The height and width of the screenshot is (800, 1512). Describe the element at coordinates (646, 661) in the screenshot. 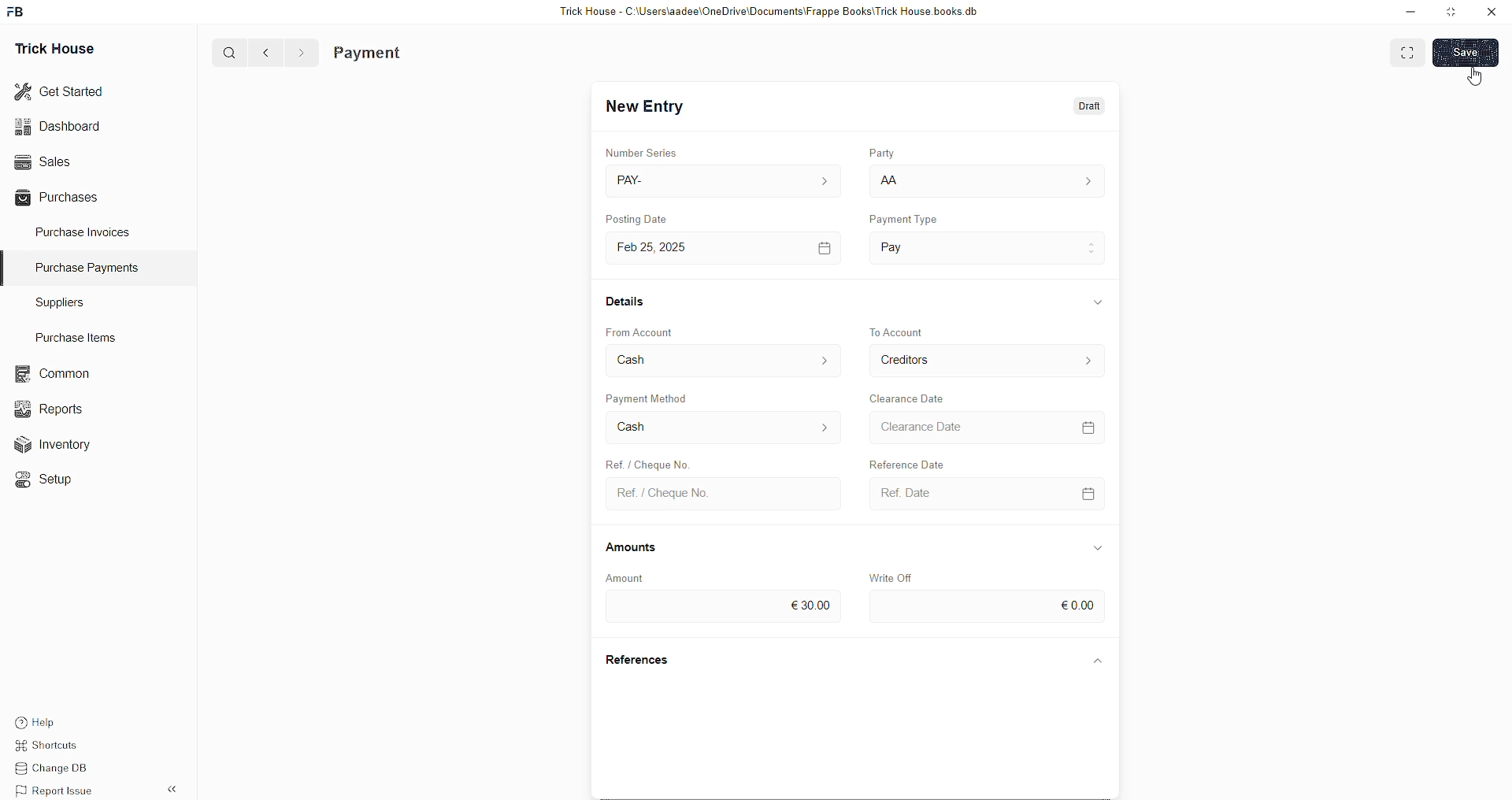

I see `References` at that location.